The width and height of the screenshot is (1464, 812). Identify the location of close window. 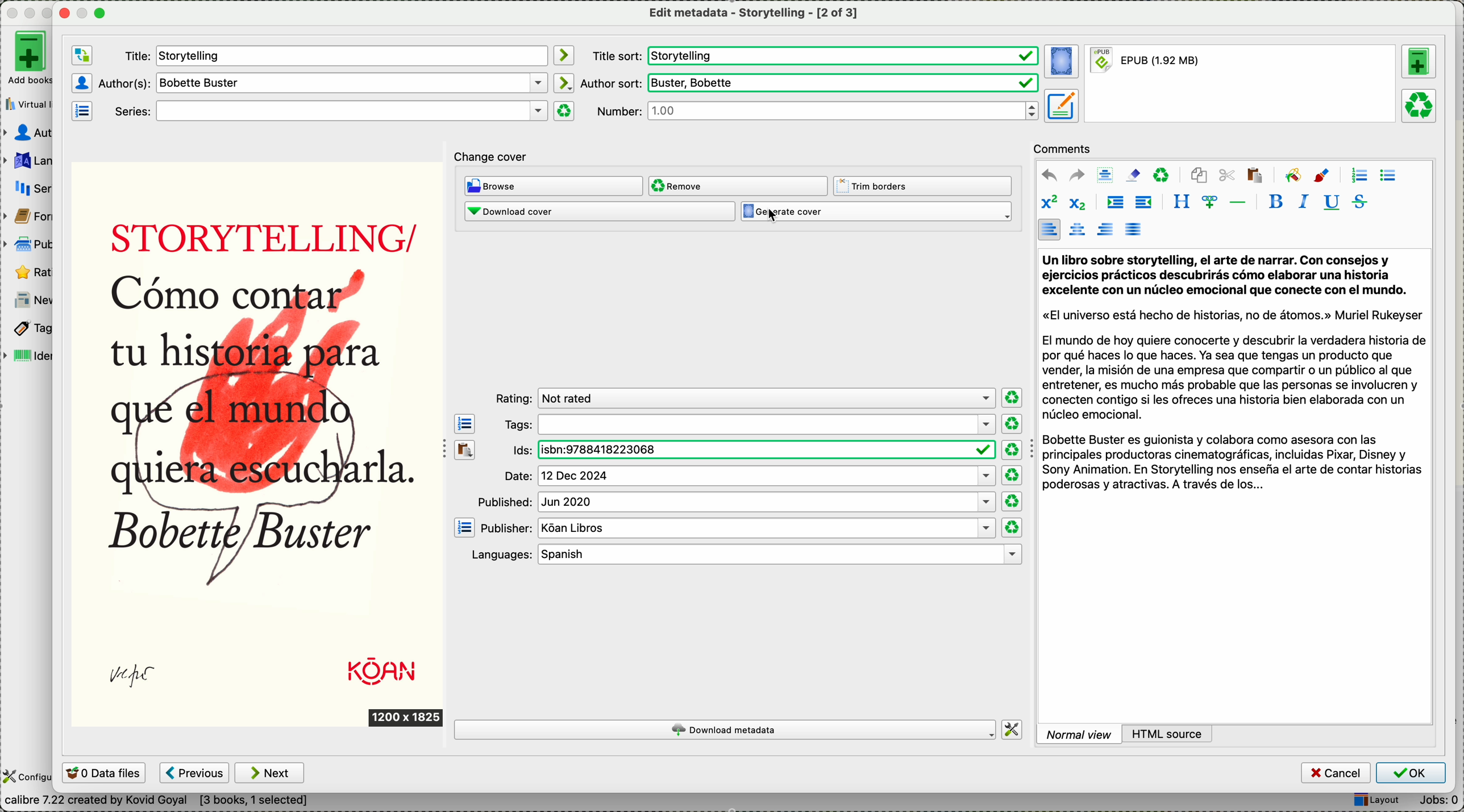
(61, 14).